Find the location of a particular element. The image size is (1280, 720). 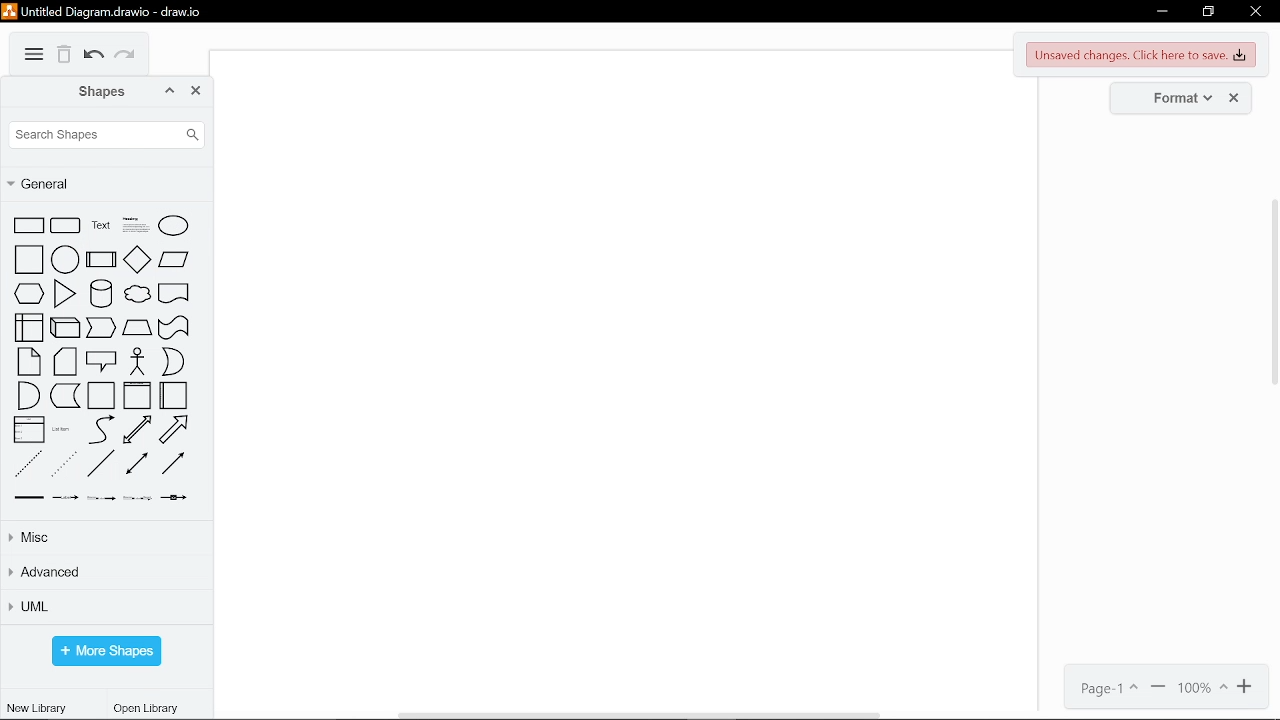

close is located at coordinates (1256, 14).